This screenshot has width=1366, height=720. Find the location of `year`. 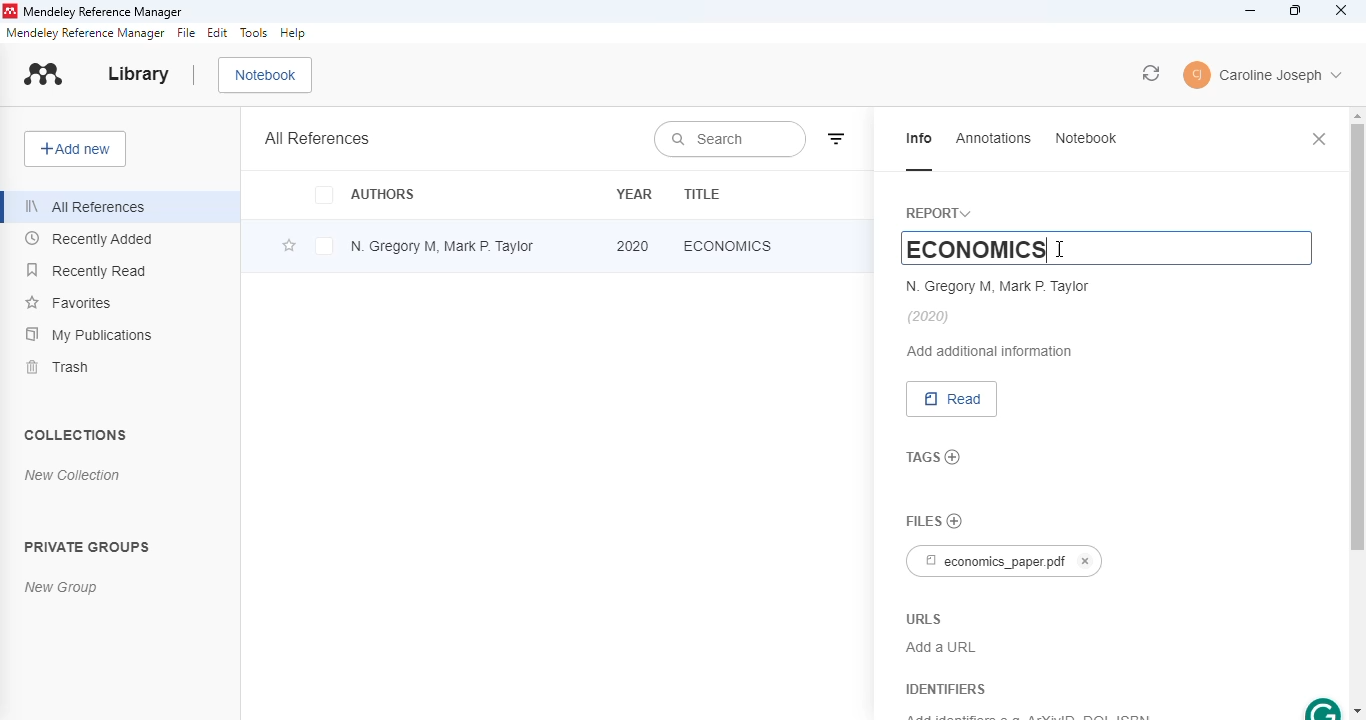

year is located at coordinates (634, 193).